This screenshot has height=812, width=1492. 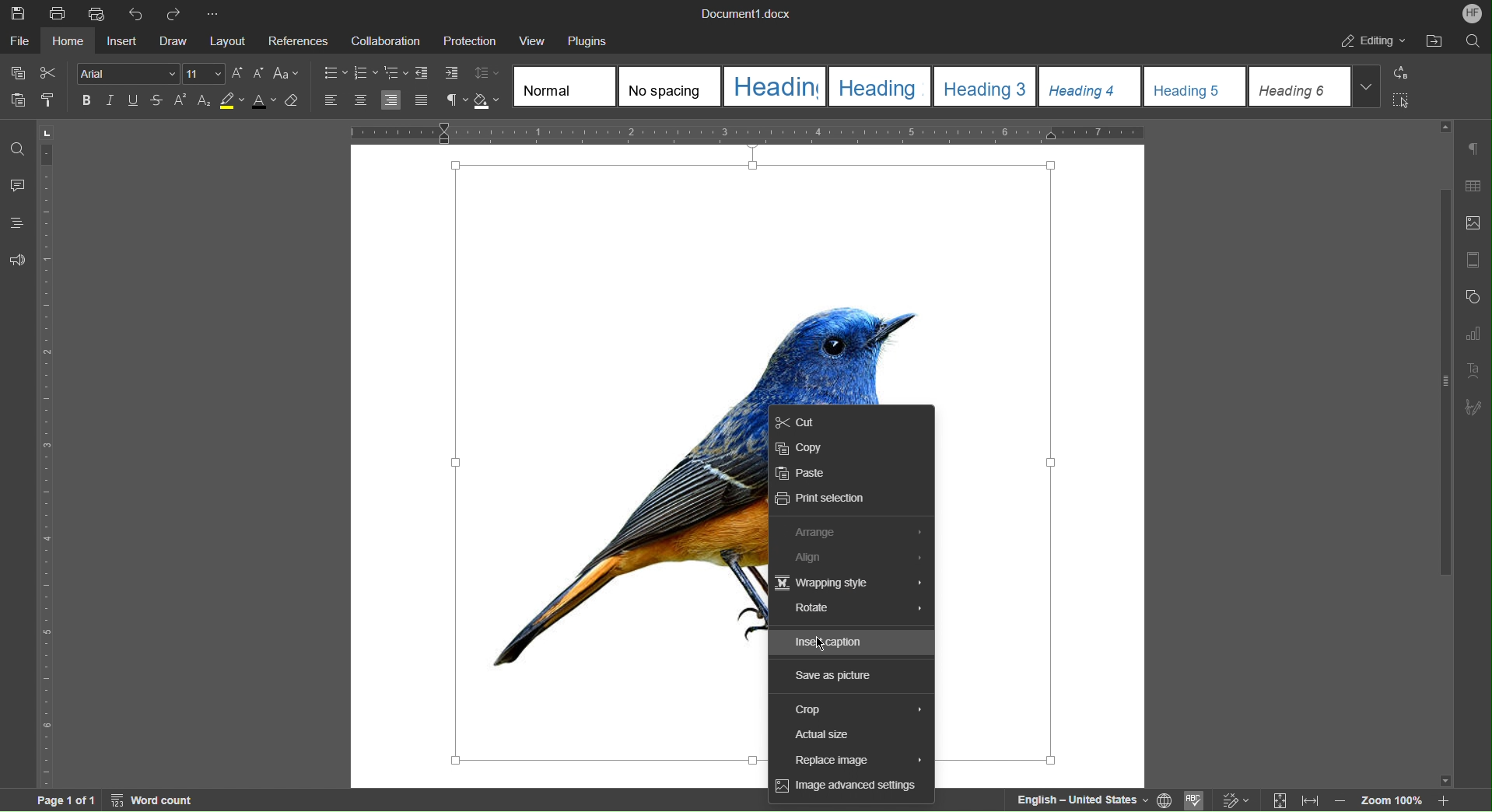 What do you see at coordinates (180, 100) in the screenshot?
I see `Superscript` at bounding box center [180, 100].